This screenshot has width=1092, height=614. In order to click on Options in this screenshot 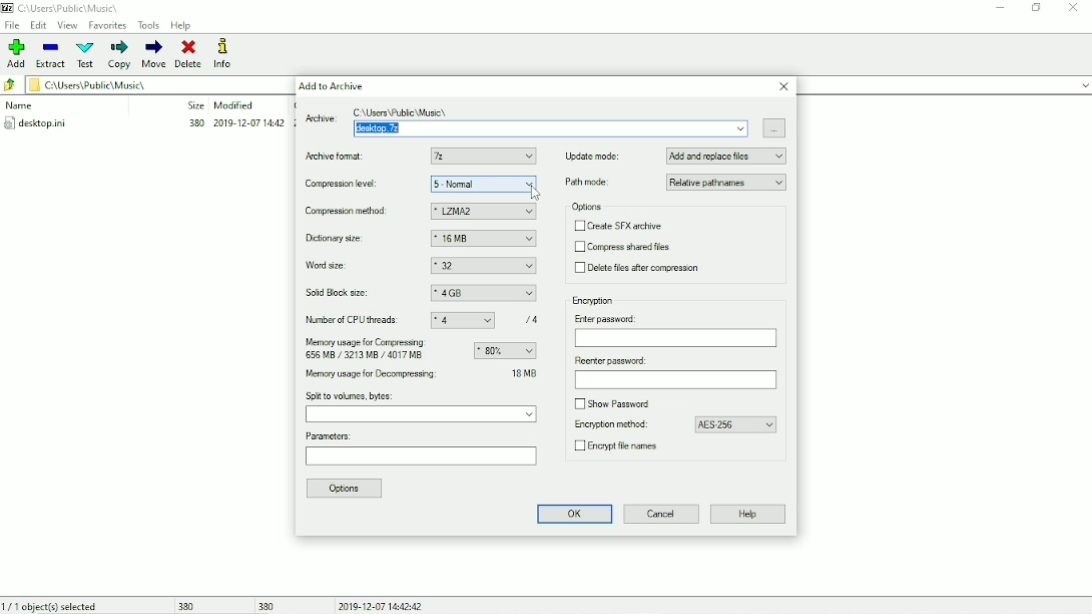, I will do `click(347, 489)`.